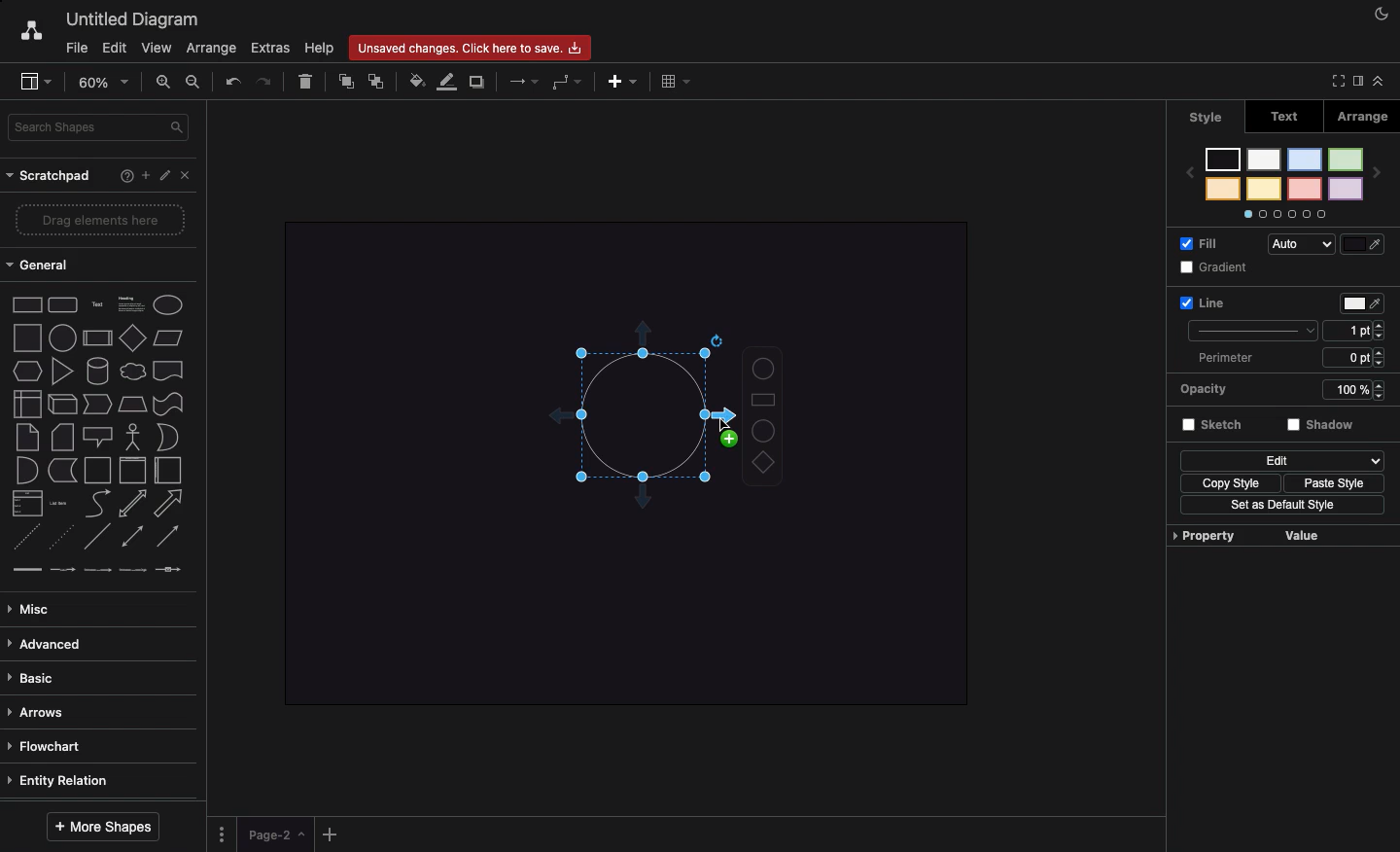  I want to click on Click, so click(719, 416).